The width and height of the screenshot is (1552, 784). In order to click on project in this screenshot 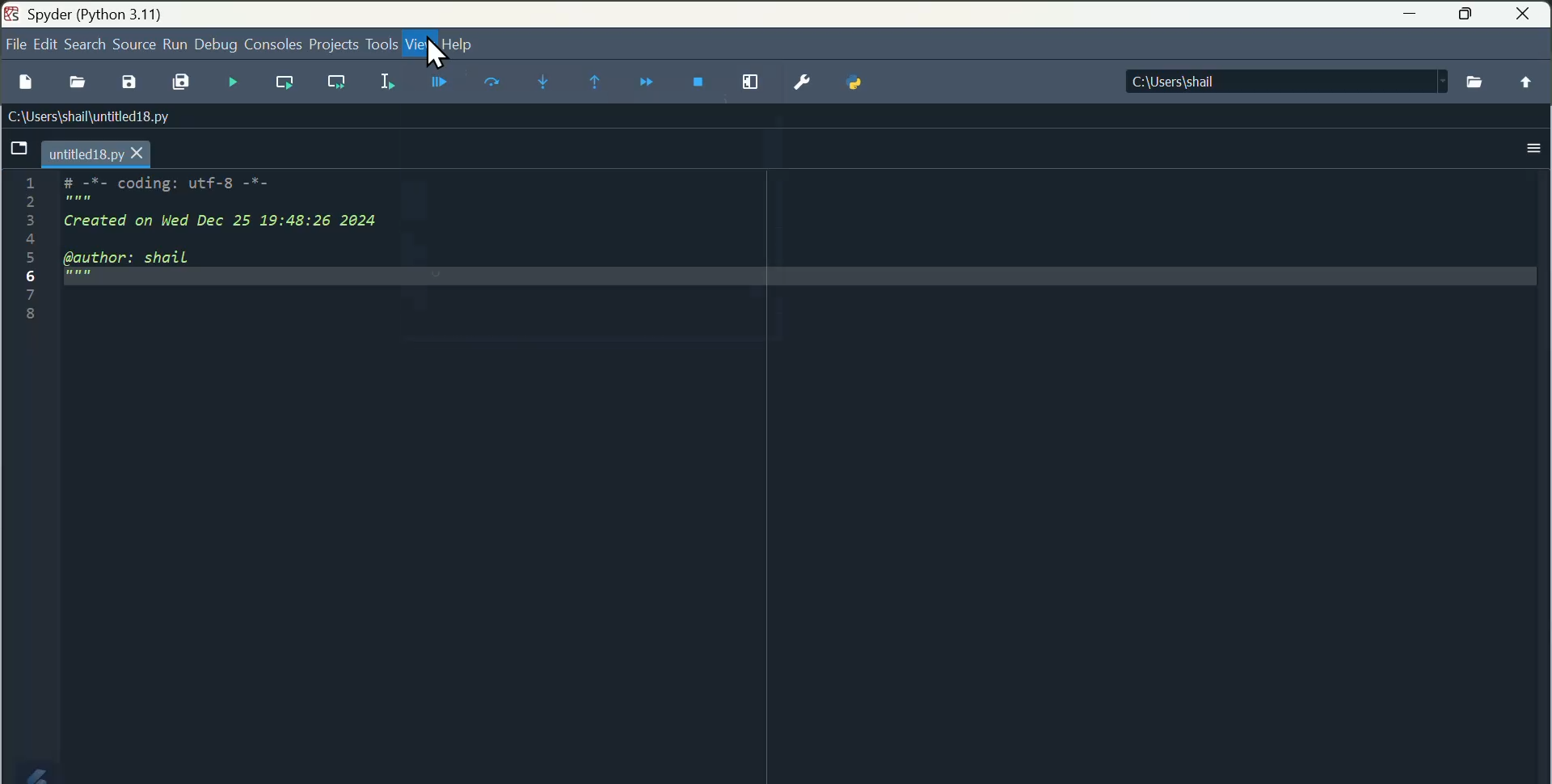, I will do `click(333, 43)`.